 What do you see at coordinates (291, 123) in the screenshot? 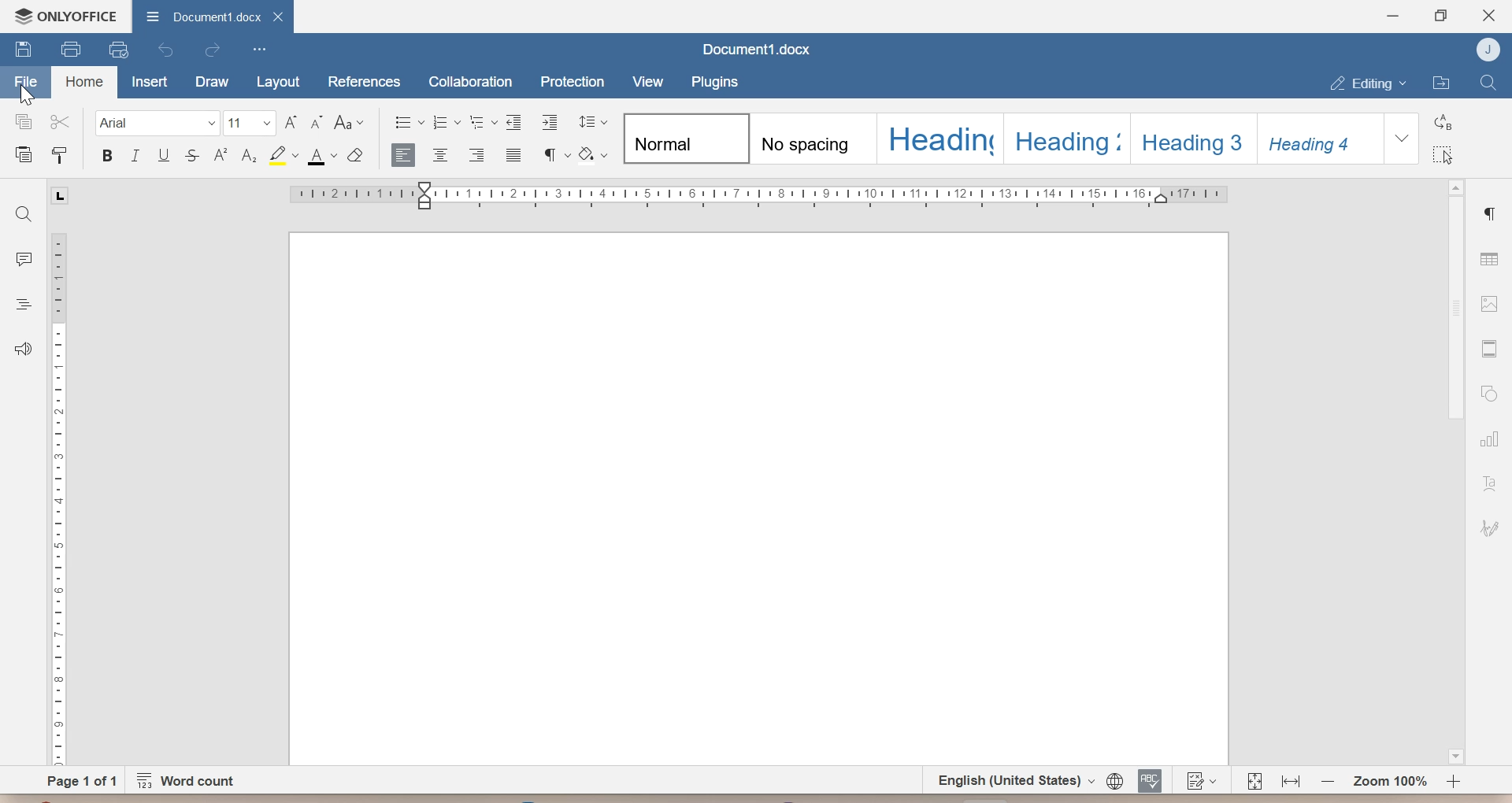
I see `Increment font size` at bounding box center [291, 123].